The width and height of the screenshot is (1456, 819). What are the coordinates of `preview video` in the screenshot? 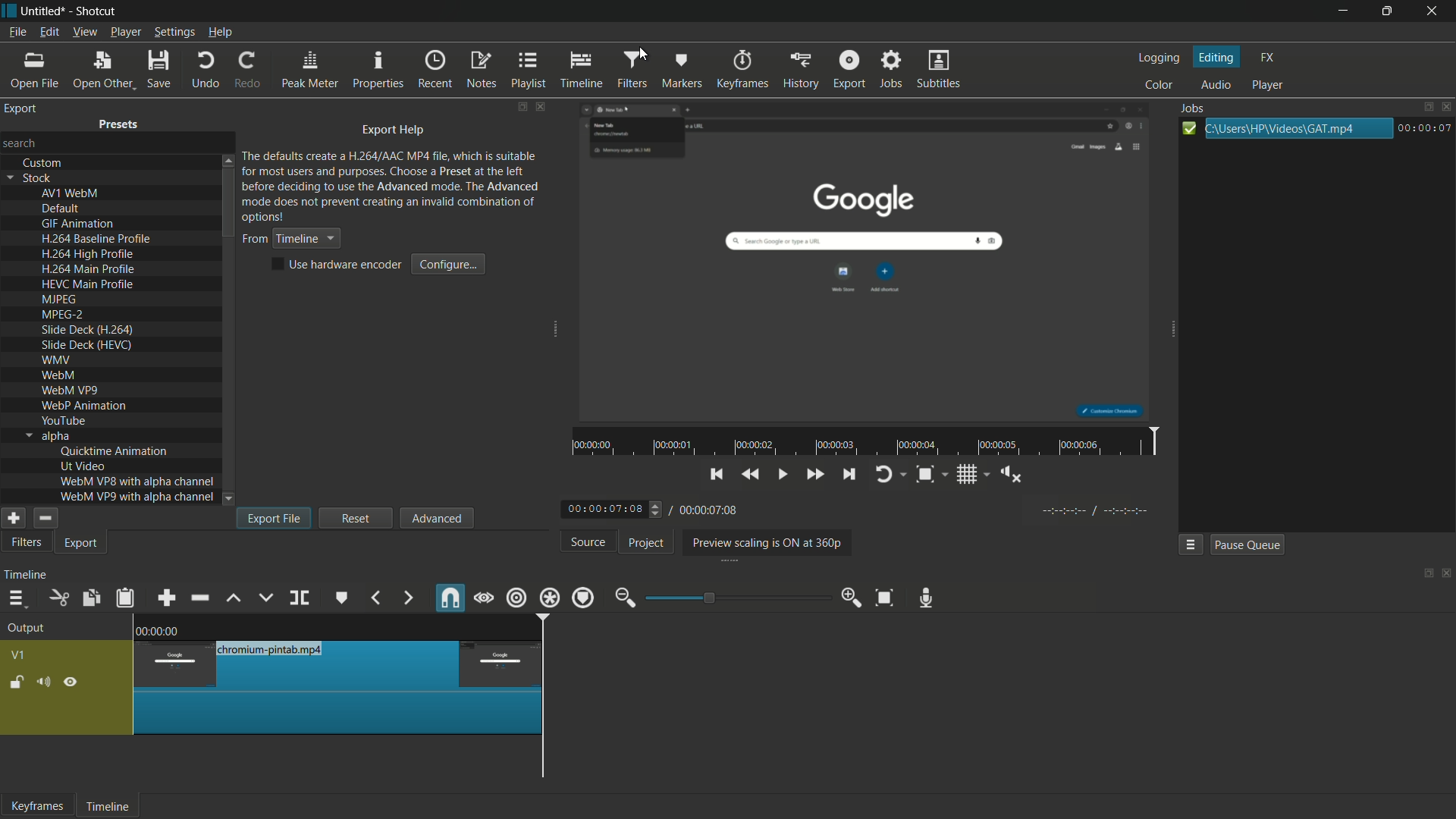 It's located at (871, 263).